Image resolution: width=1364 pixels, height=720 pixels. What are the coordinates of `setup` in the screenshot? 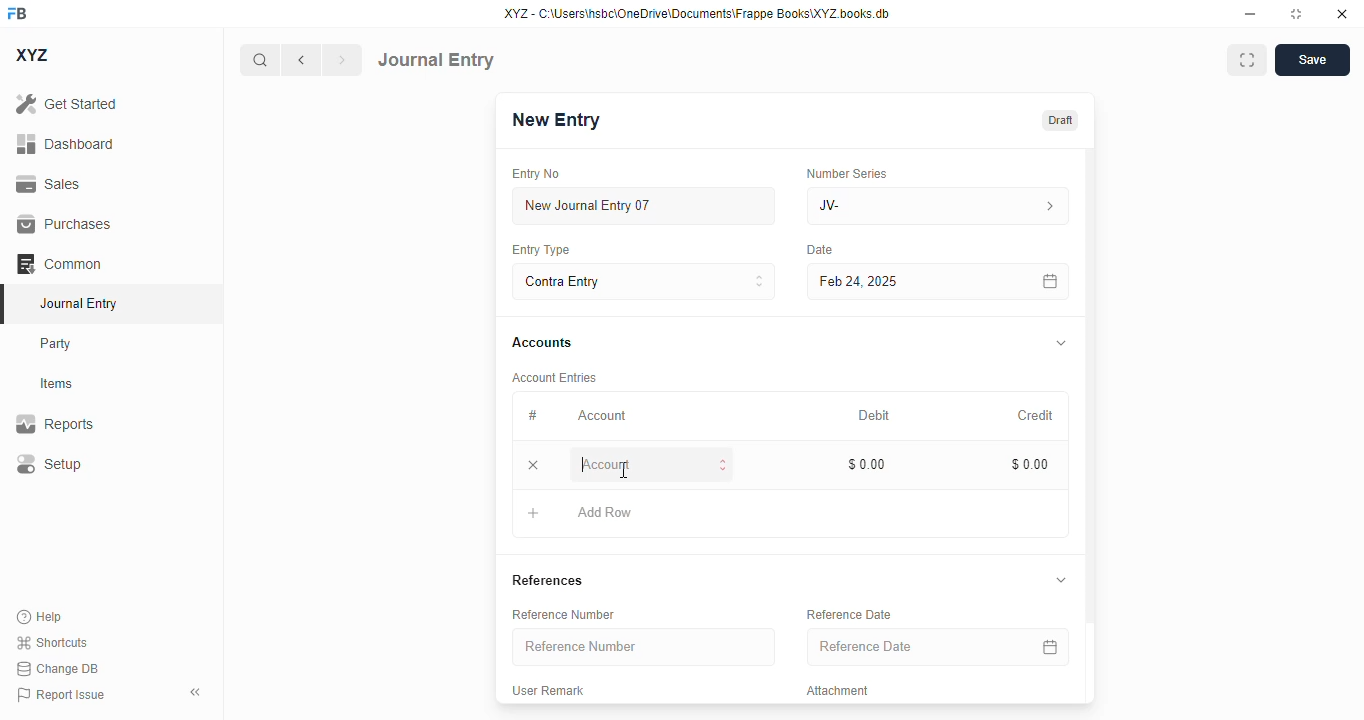 It's located at (49, 463).